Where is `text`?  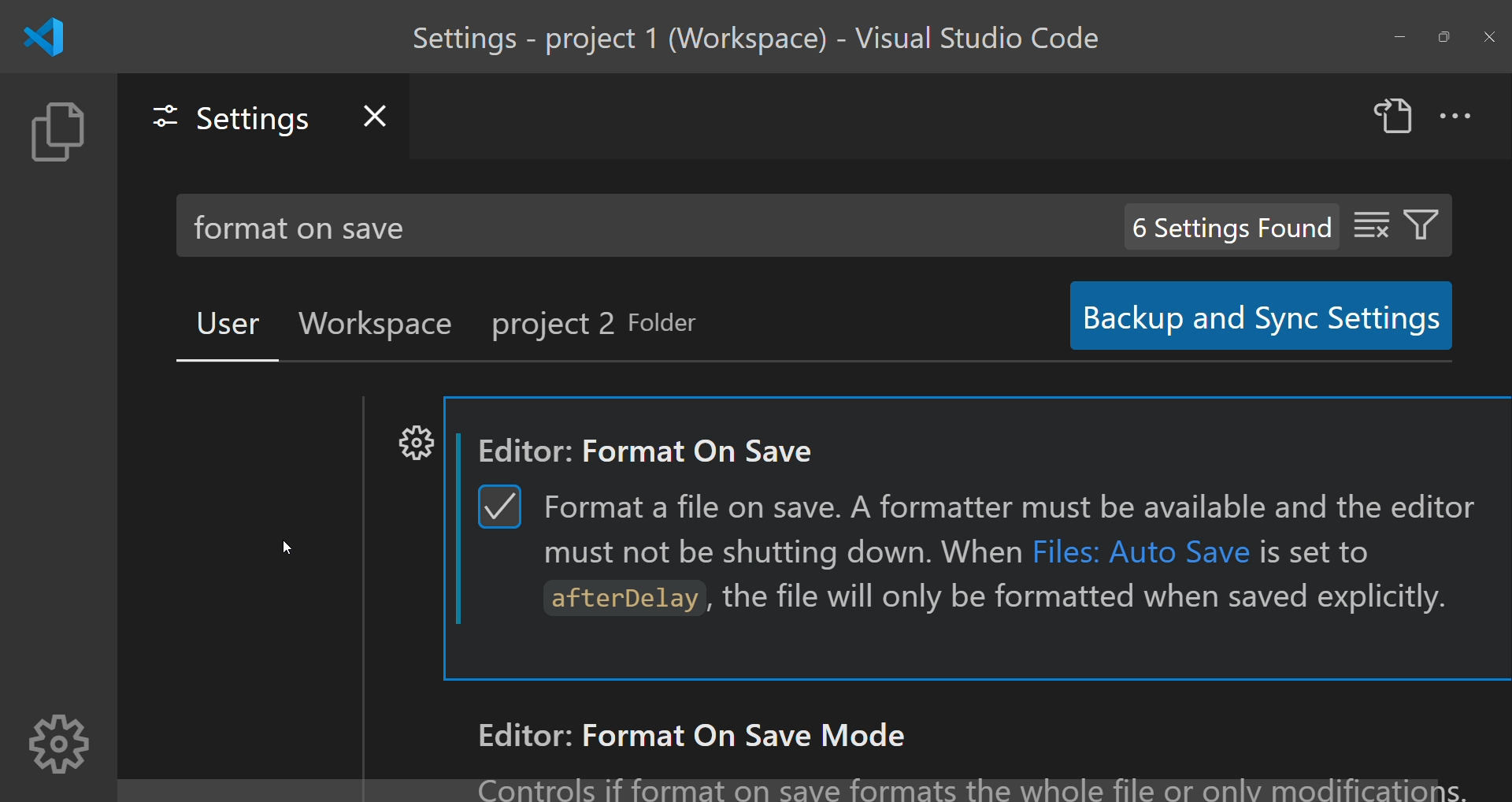
text is located at coordinates (967, 781).